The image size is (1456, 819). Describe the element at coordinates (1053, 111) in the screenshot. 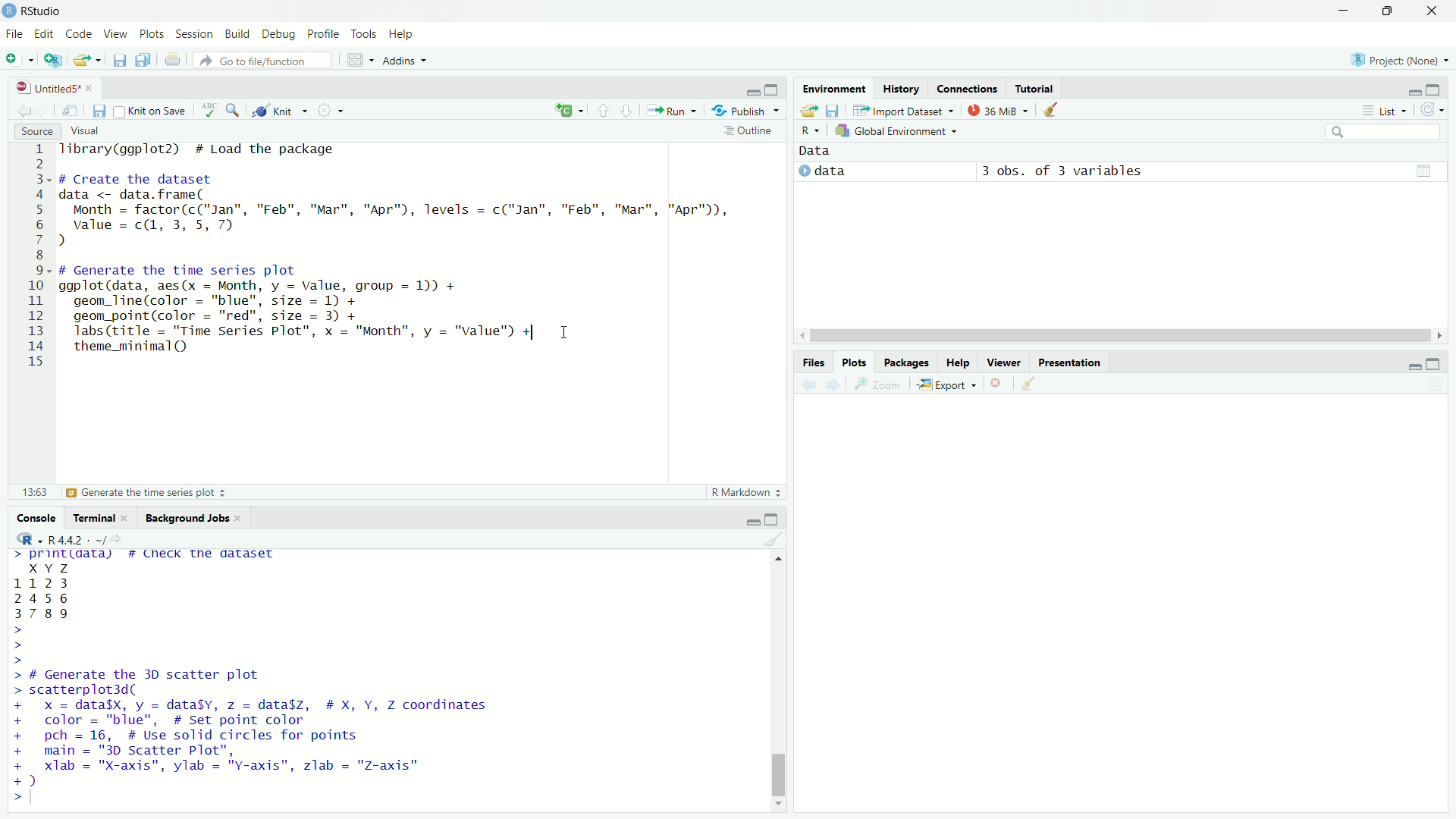

I see `clear objects from the workspace` at that location.